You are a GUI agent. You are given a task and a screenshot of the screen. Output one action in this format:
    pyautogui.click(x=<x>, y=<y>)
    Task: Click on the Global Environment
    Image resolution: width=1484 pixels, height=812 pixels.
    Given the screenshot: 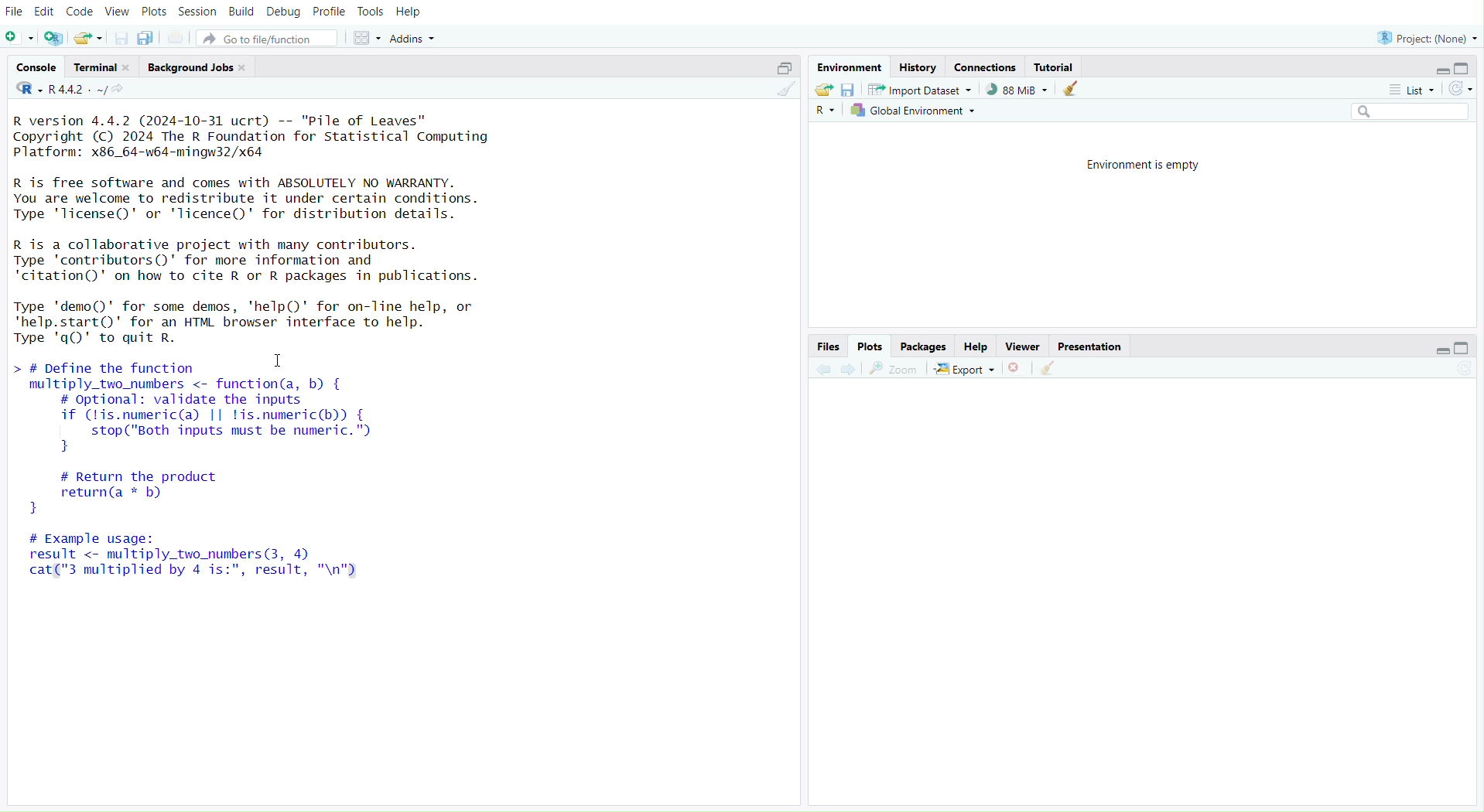 What is the action you would take?
    pyautogui.click(x=916, y=111)
    